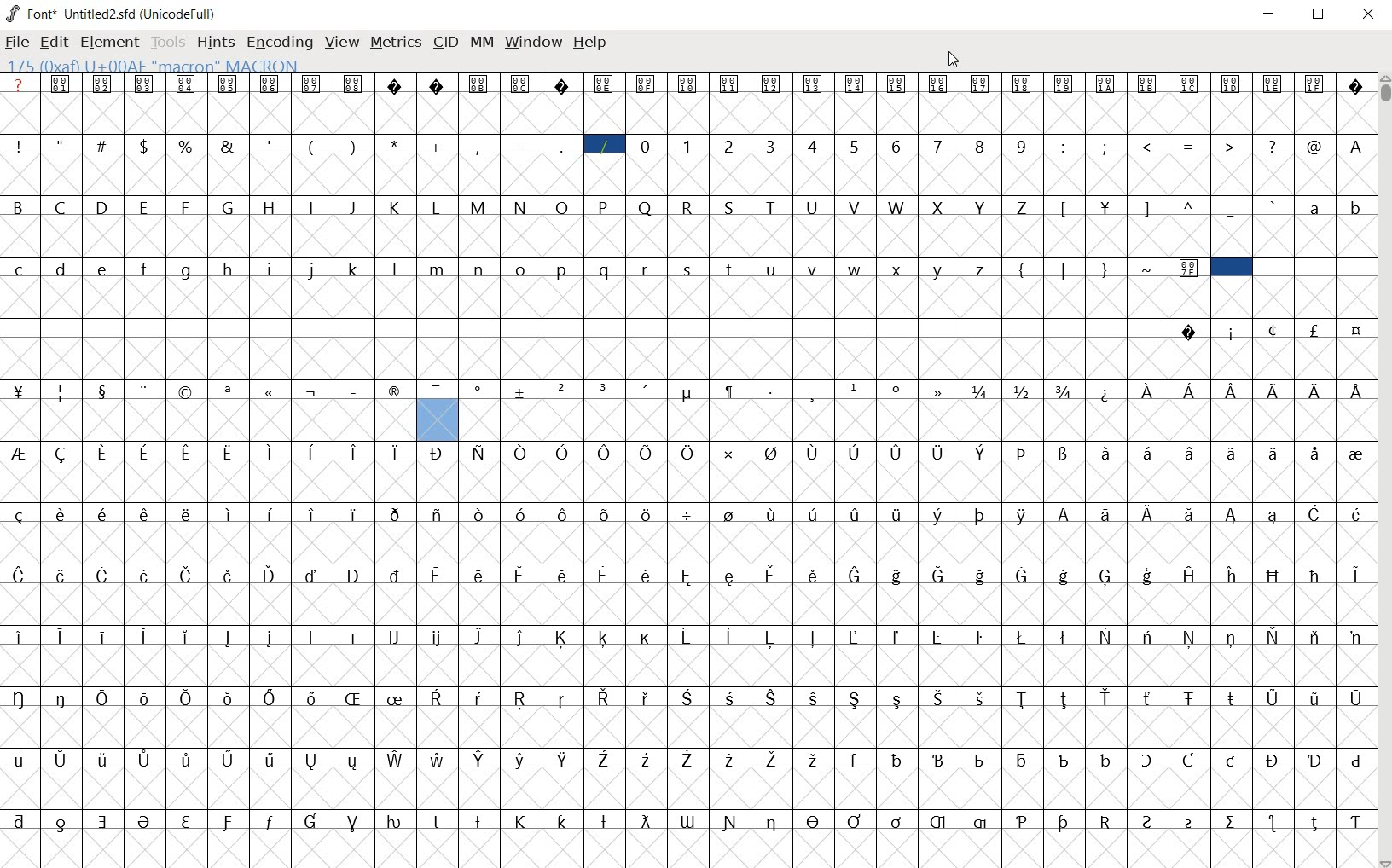 The width and height of the screenshot is (1392, 868). I want to click on Cursor, so click(952, 59).